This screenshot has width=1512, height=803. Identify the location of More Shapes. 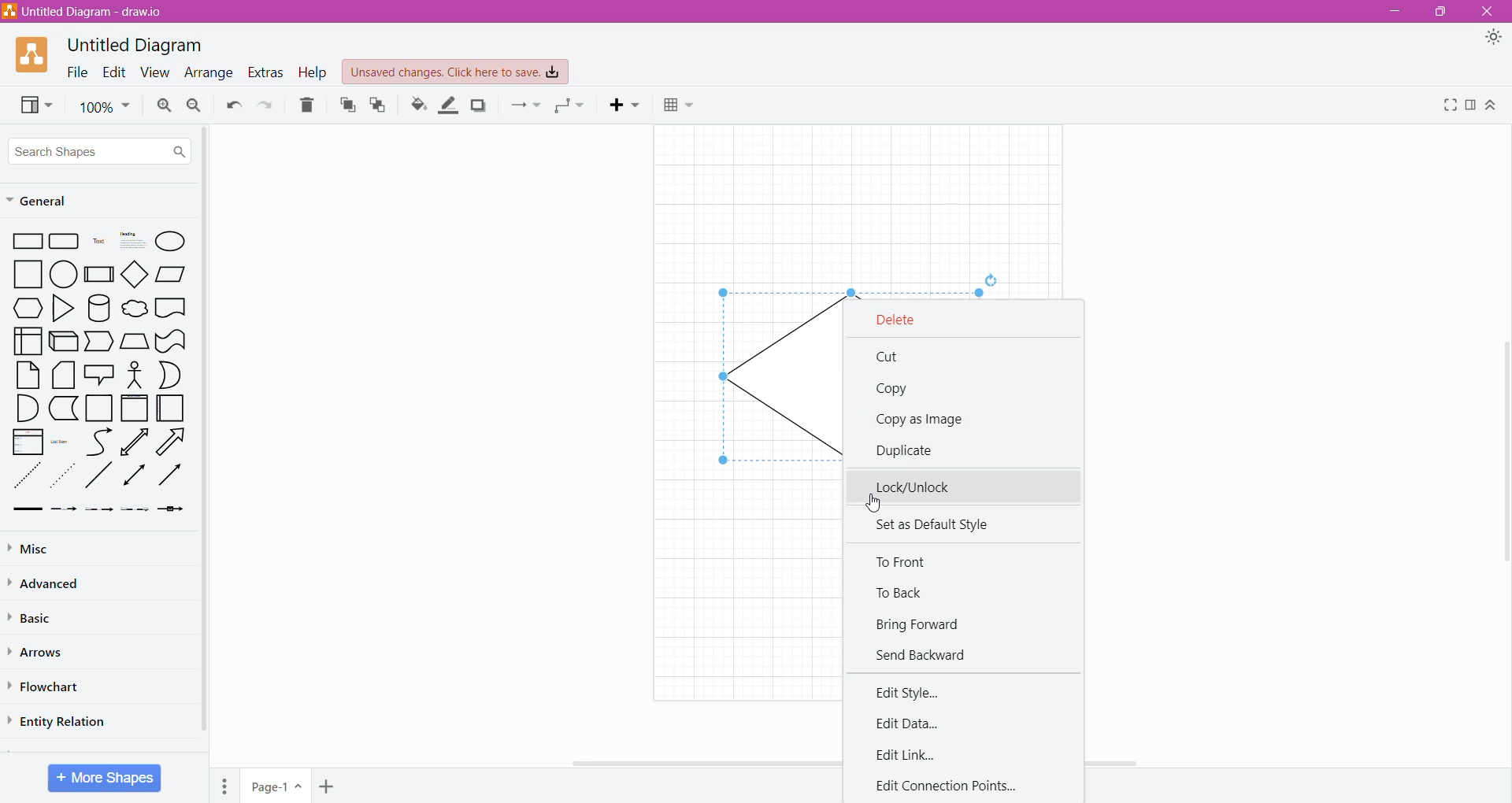
(105, 778).